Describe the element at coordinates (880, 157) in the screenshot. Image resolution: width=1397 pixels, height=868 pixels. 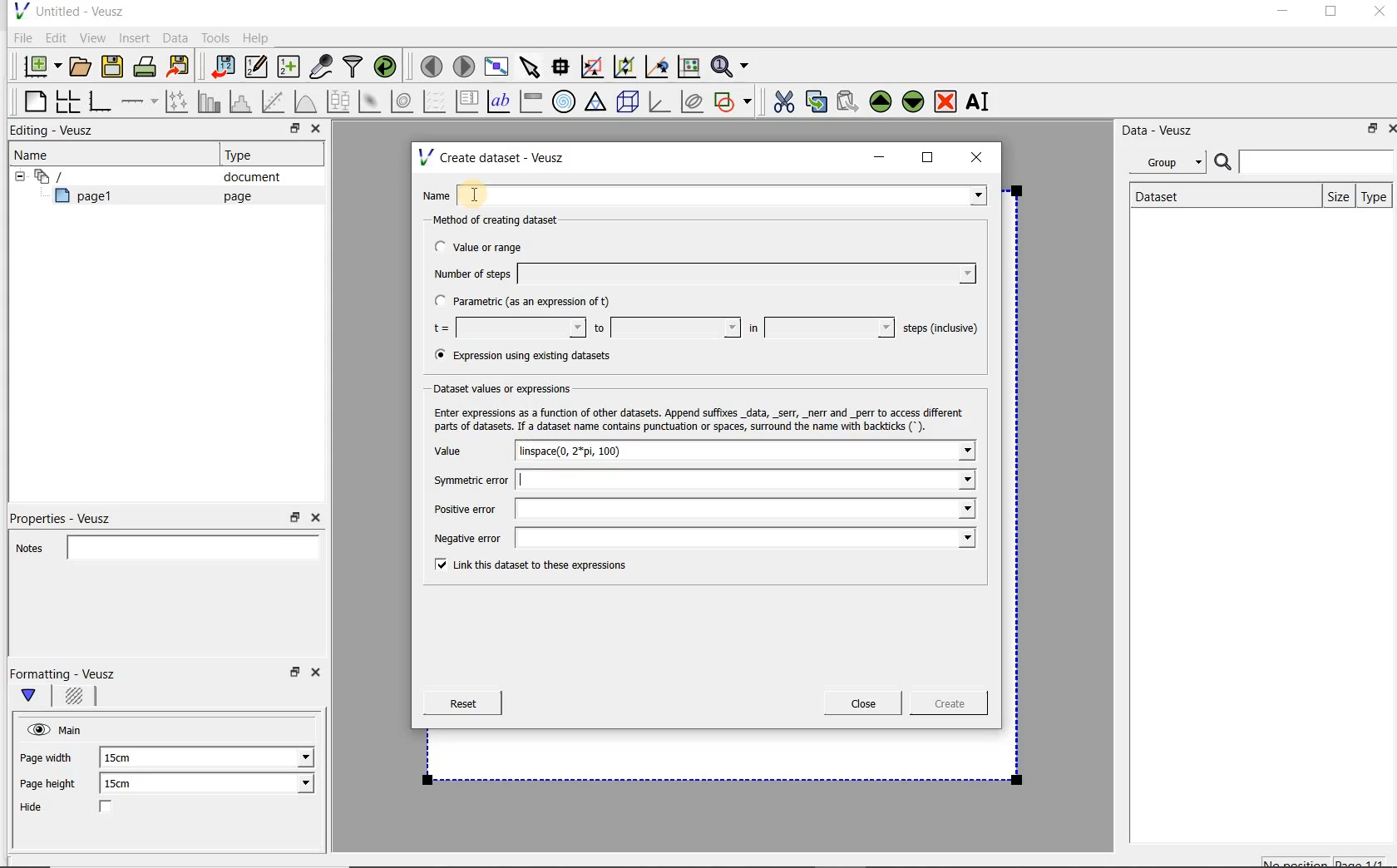
I see `minimize` at that location.